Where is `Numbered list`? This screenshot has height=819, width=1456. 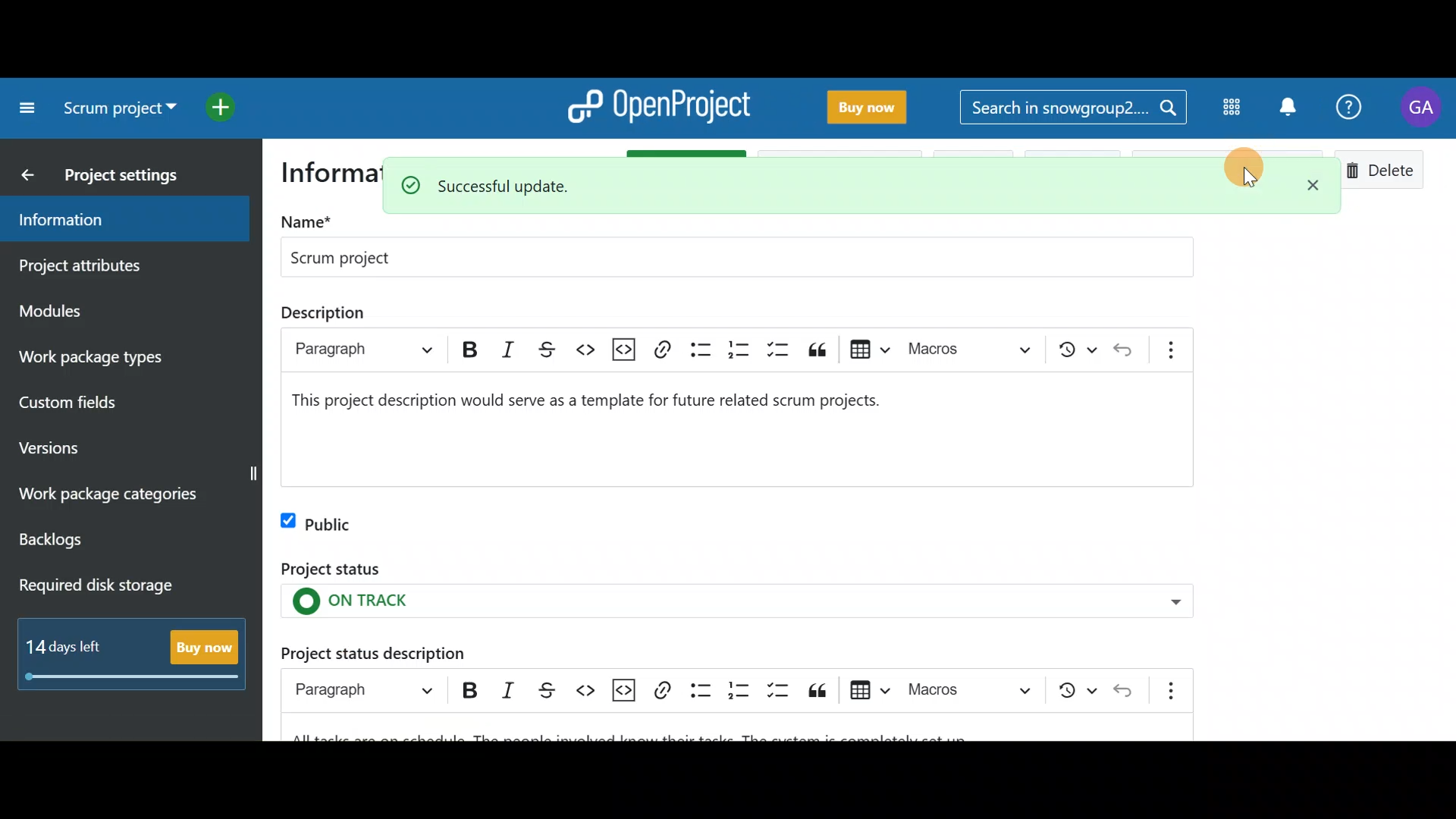 Numbered list is located at coordinates (737, 690).